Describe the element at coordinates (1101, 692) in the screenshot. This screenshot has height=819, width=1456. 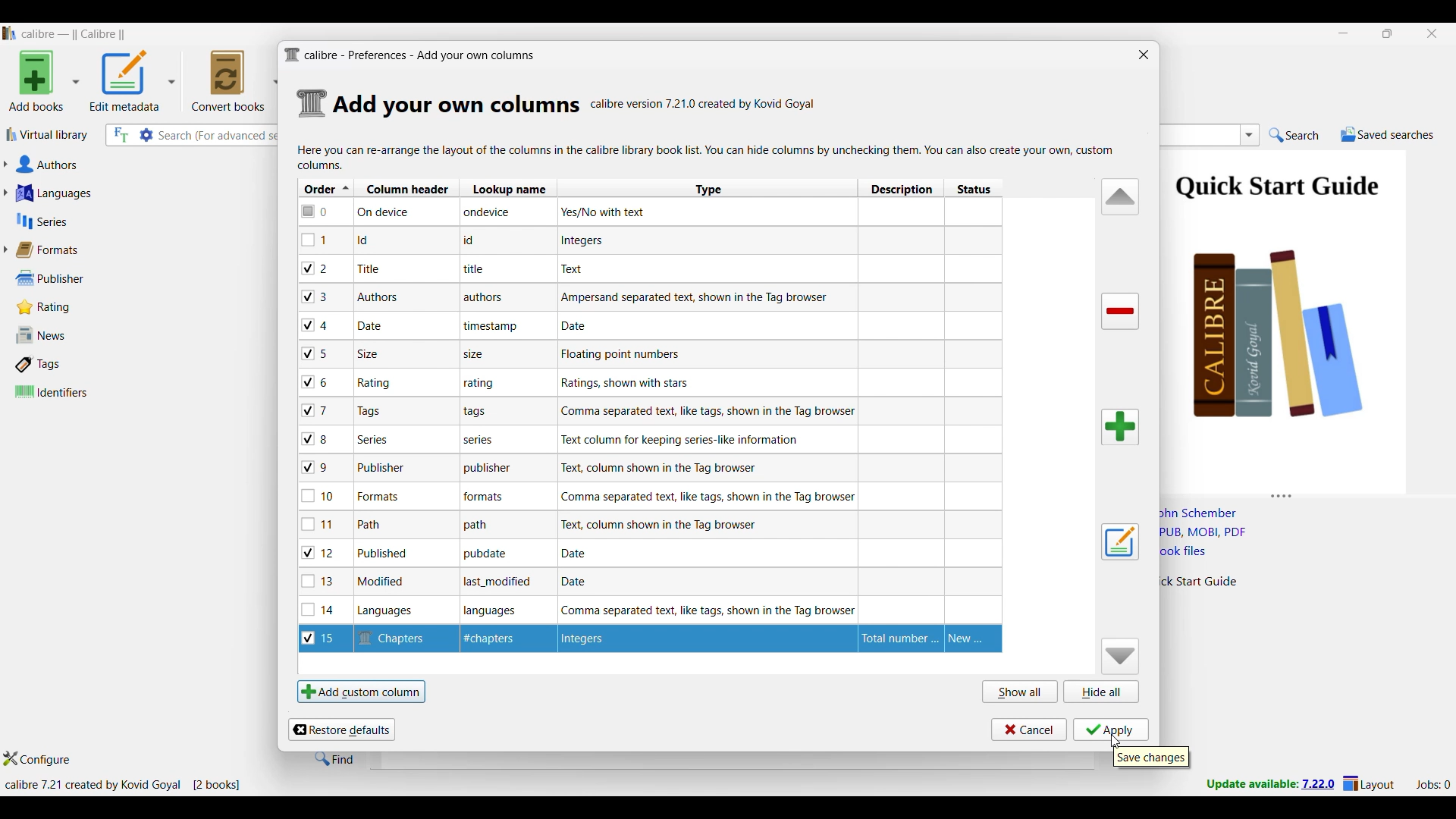
I see `Hide all` at that location.